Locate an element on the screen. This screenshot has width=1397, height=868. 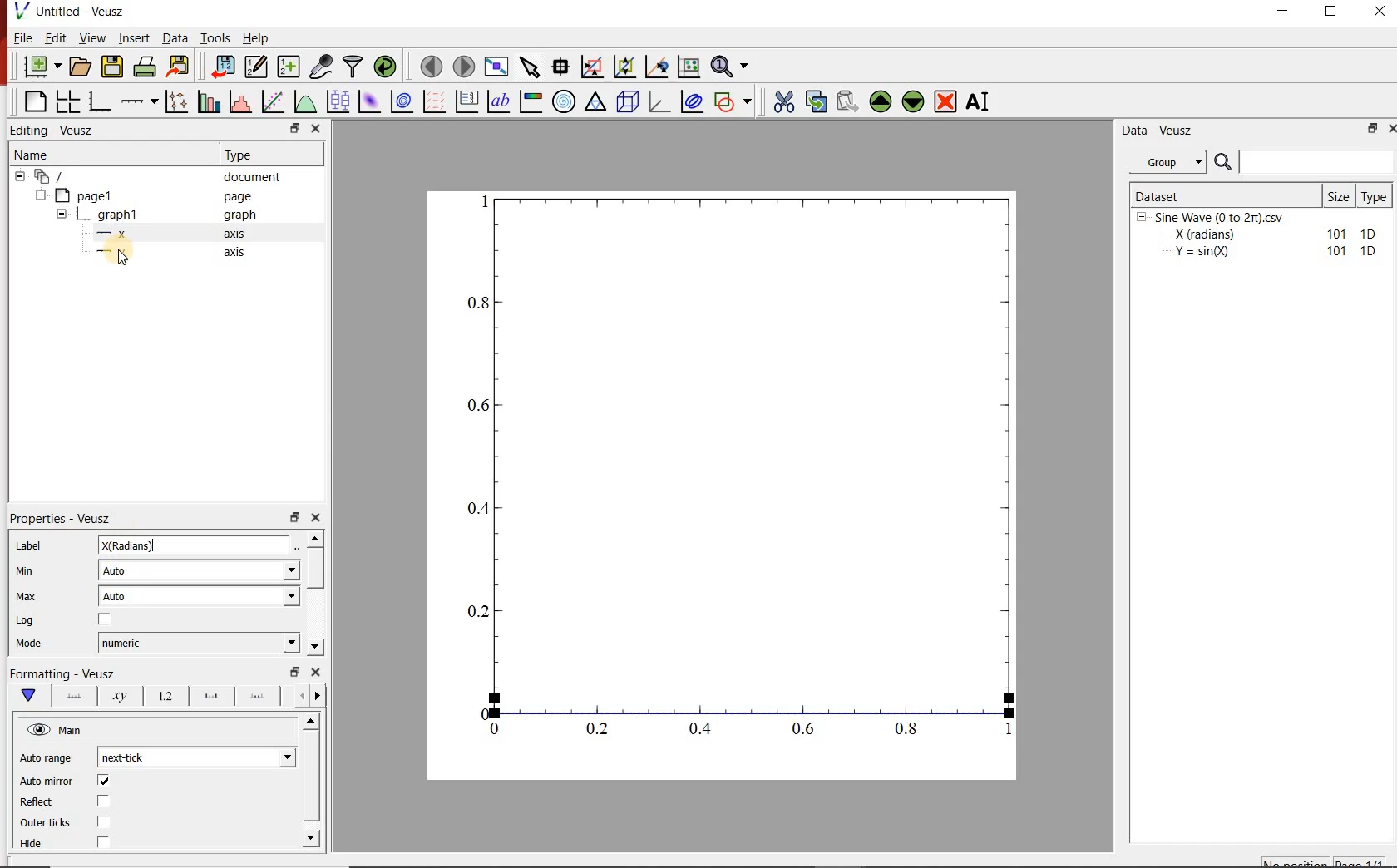
arrange graph is located at coordinates (68, 101).